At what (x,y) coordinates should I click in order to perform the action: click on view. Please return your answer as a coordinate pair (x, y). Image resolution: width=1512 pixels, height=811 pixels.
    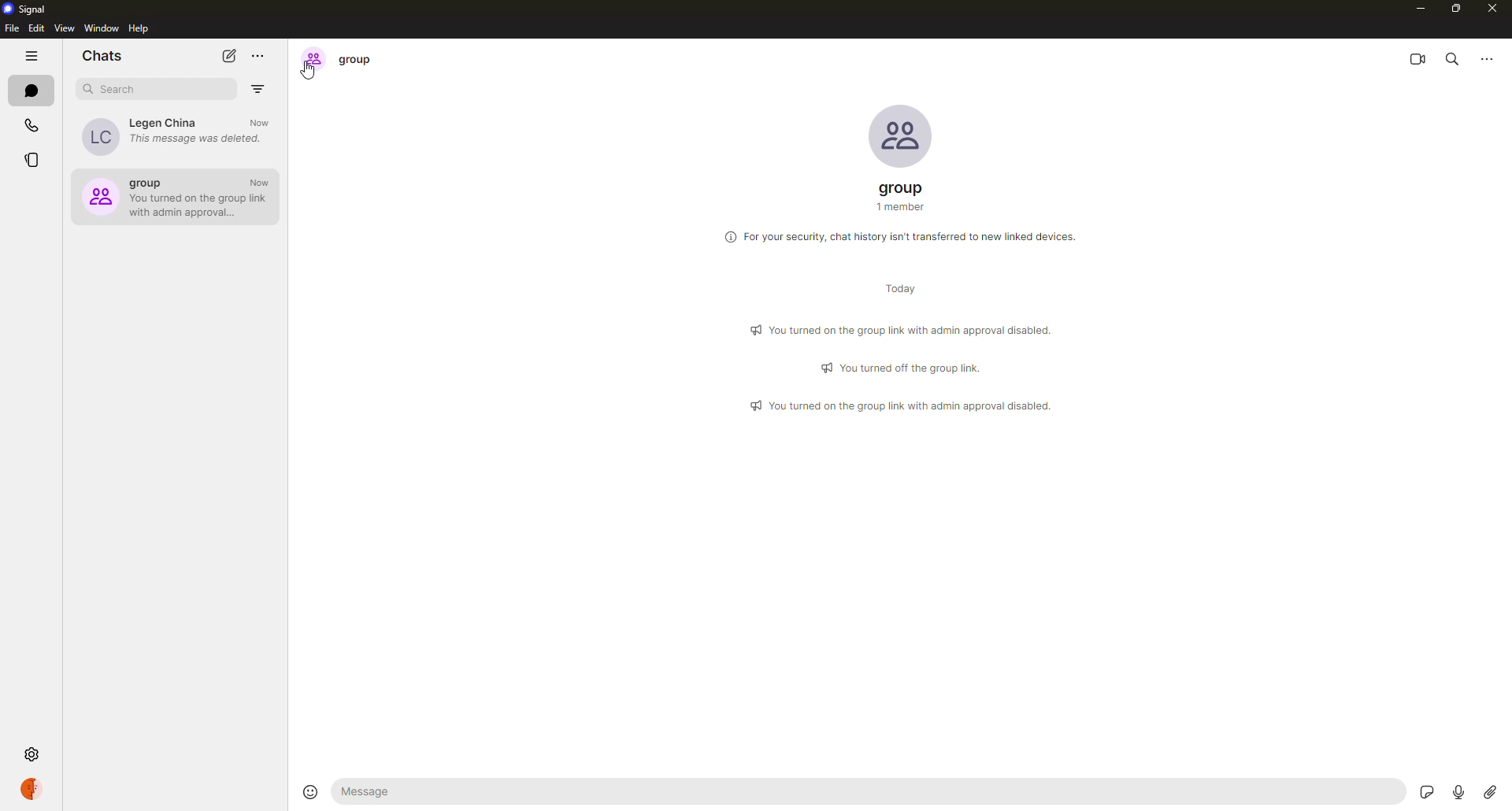
    Looking at the image, I should click on (64, 29).